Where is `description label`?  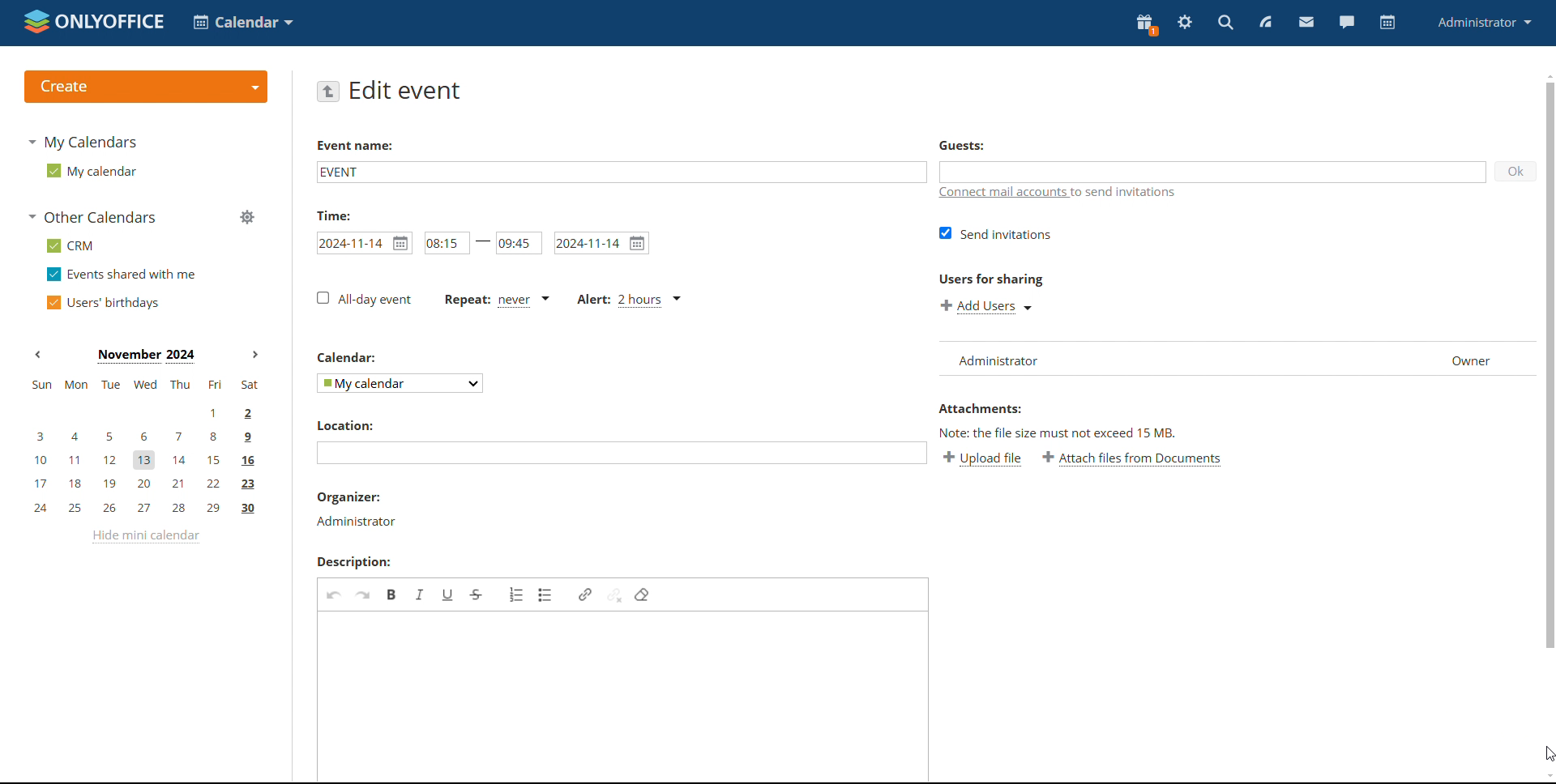 description label is located at coordinates (357, 561).